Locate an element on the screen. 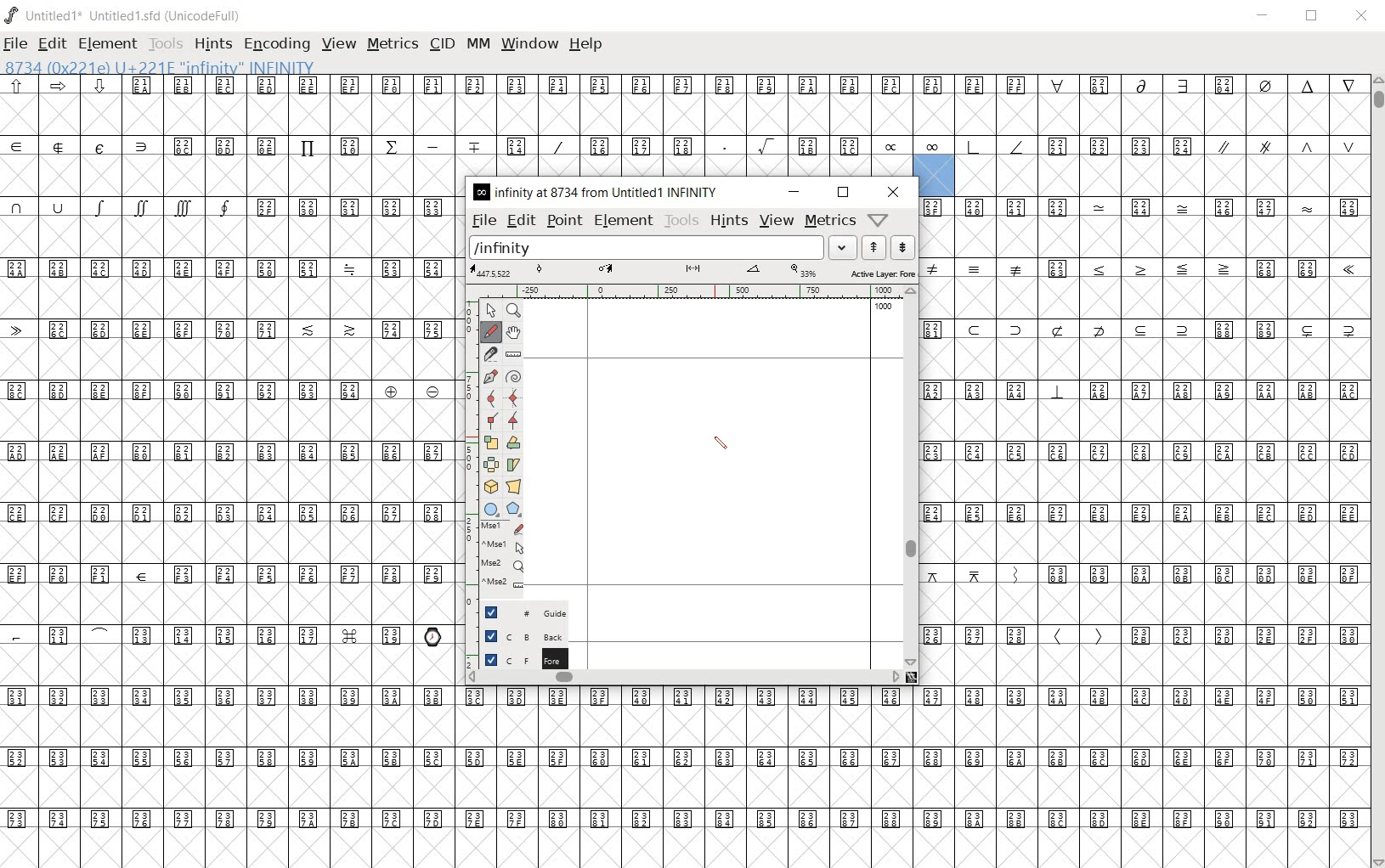  draw a freehand curve is located at coordinates (492, 332).